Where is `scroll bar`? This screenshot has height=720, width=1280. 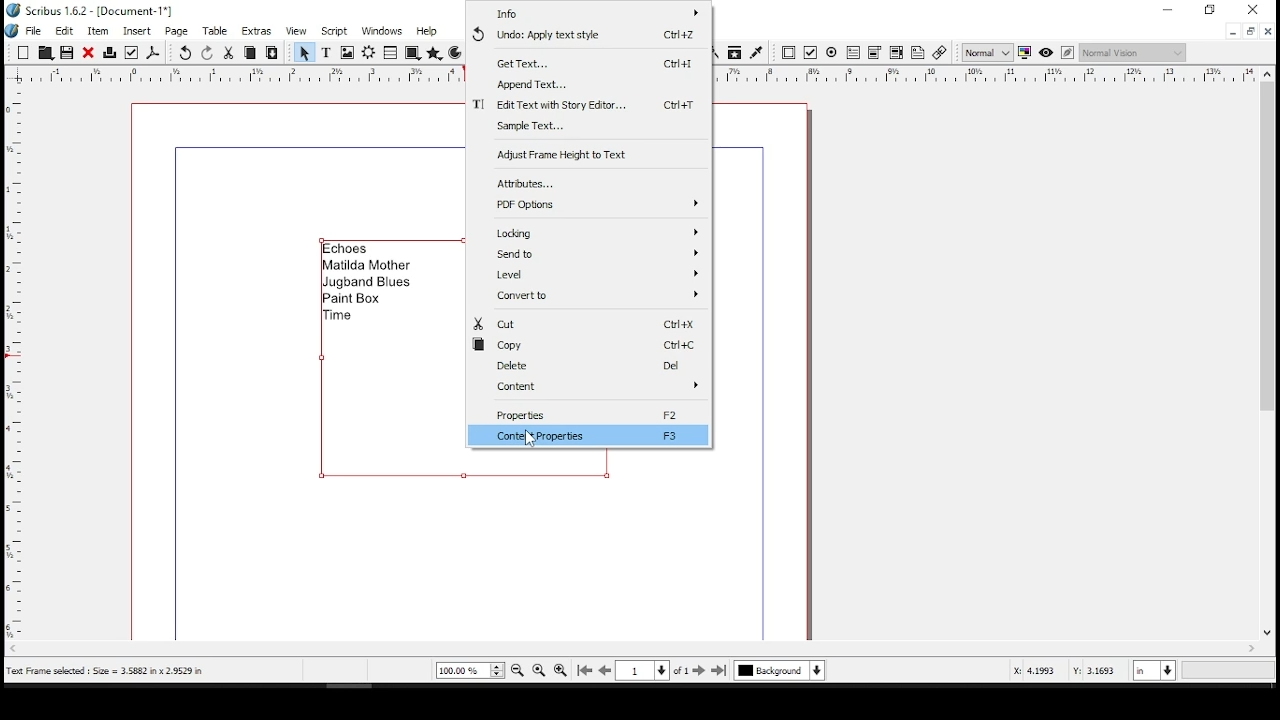 scroll bar is located at coordinates (1265, 362).